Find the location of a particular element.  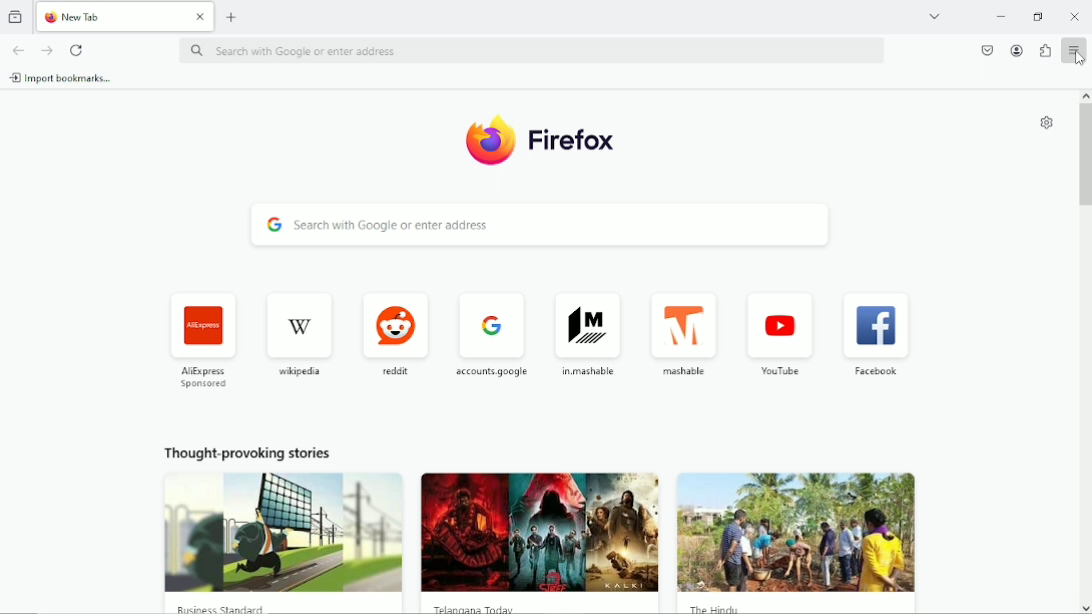

minimize is located at coordinates (999, 16).